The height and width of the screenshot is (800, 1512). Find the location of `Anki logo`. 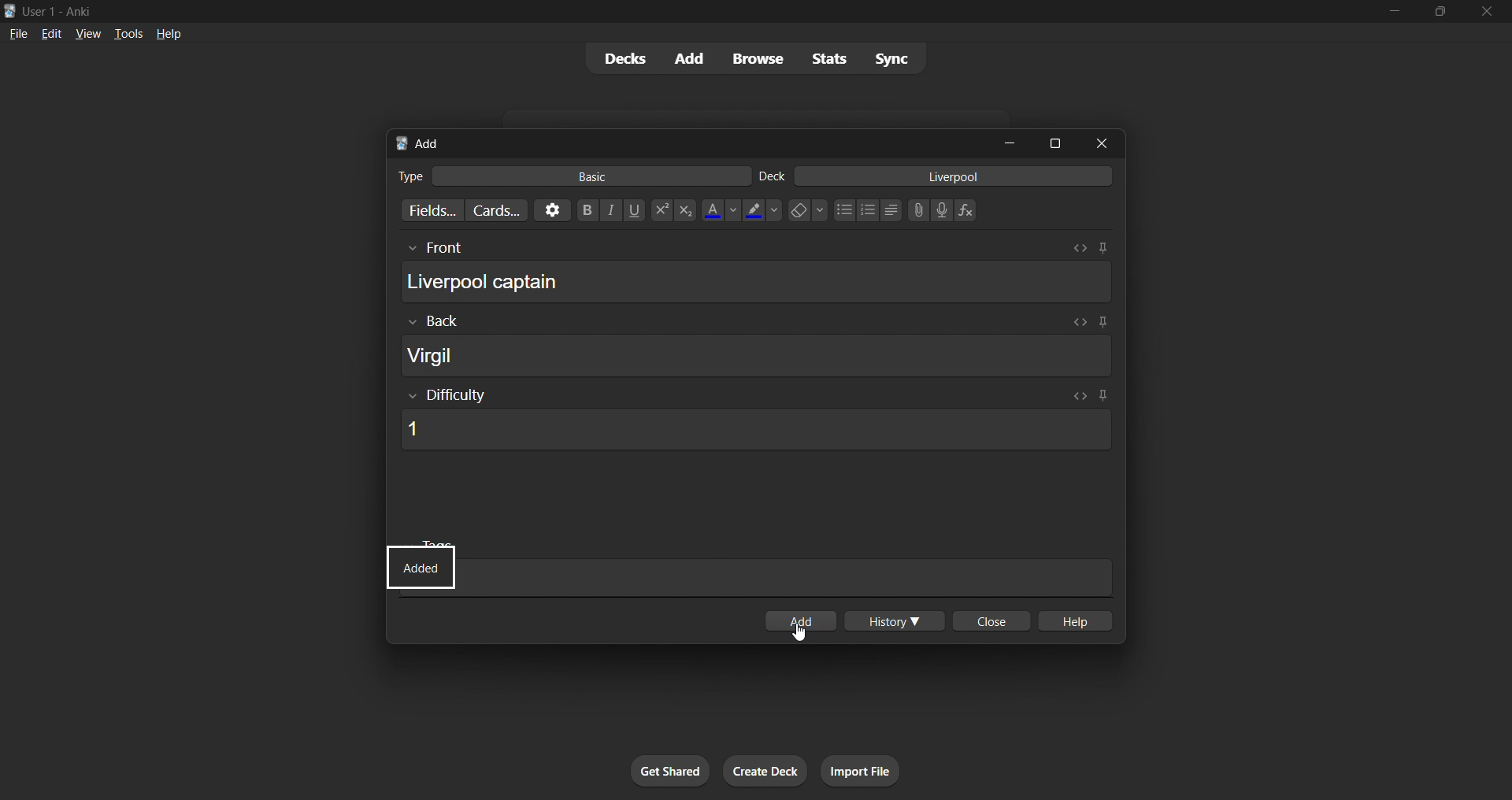

Anki logo is located at coordinates (402, 143).